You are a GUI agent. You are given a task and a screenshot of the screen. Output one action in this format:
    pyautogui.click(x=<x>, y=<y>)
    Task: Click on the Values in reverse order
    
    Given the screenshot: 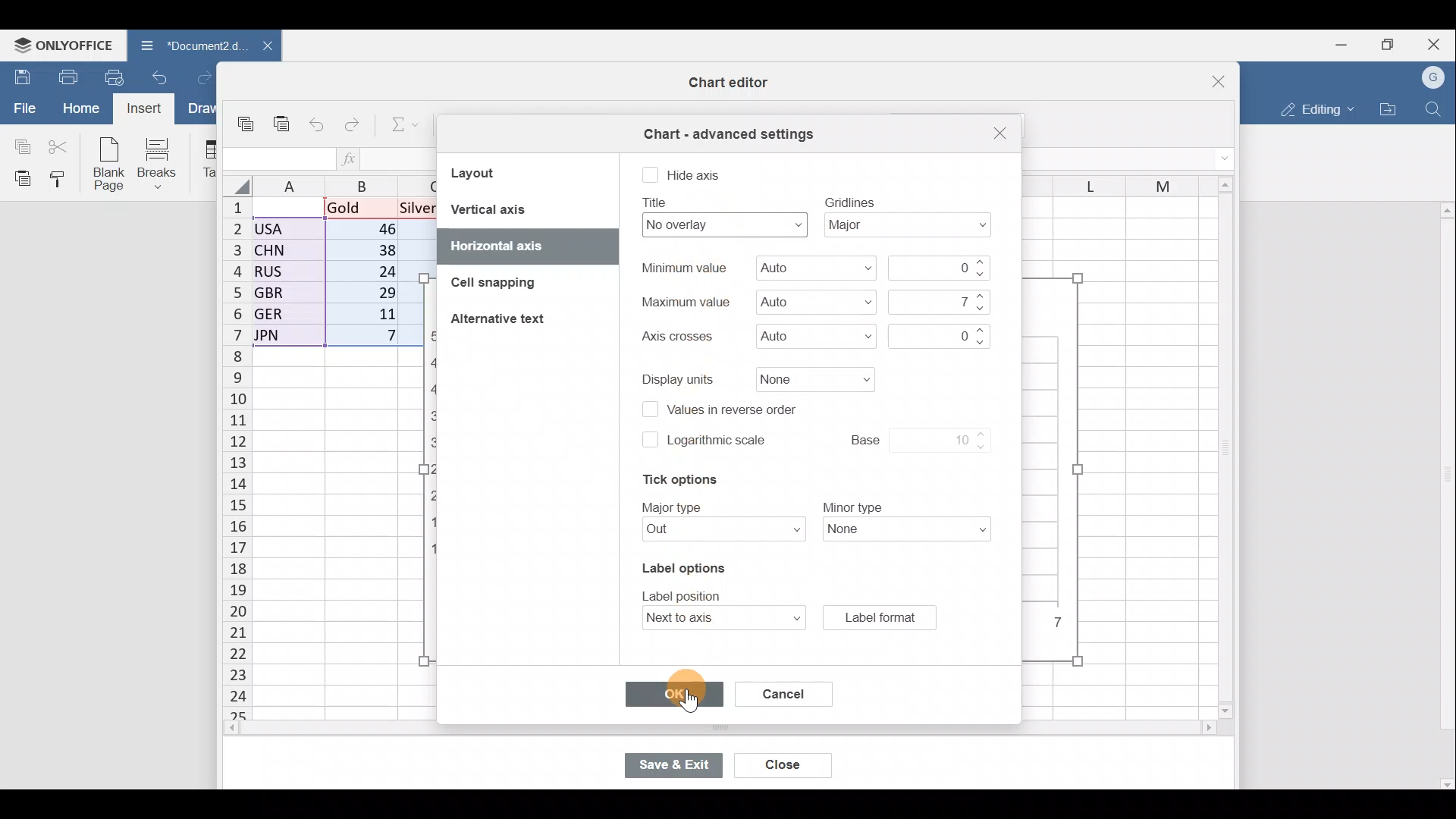 What is the action you would take?
    pyautogui.click(x=740, y=408)
    